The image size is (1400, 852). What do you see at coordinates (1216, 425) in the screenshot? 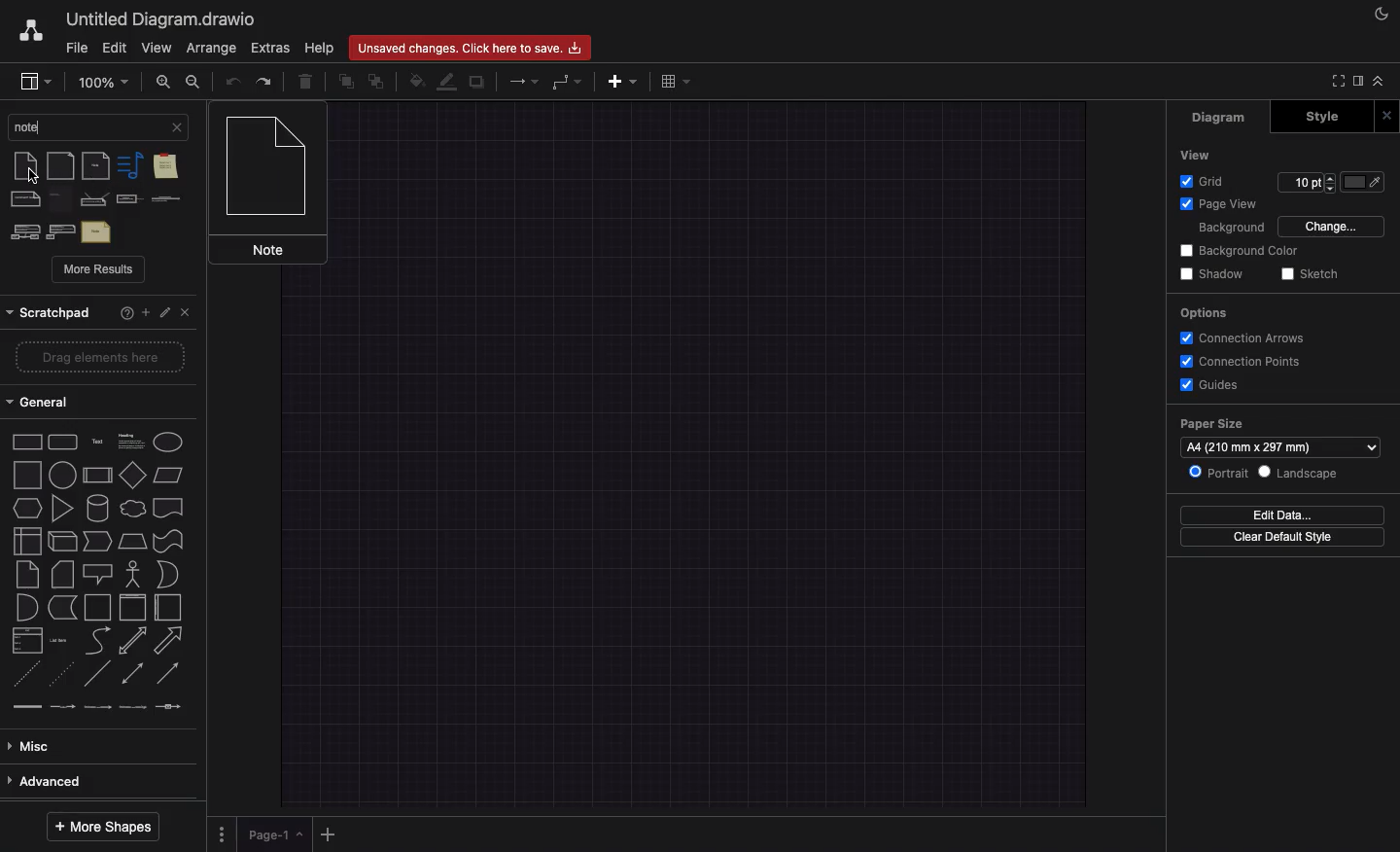
I see `paper size` at bounding box center [1216, 425].